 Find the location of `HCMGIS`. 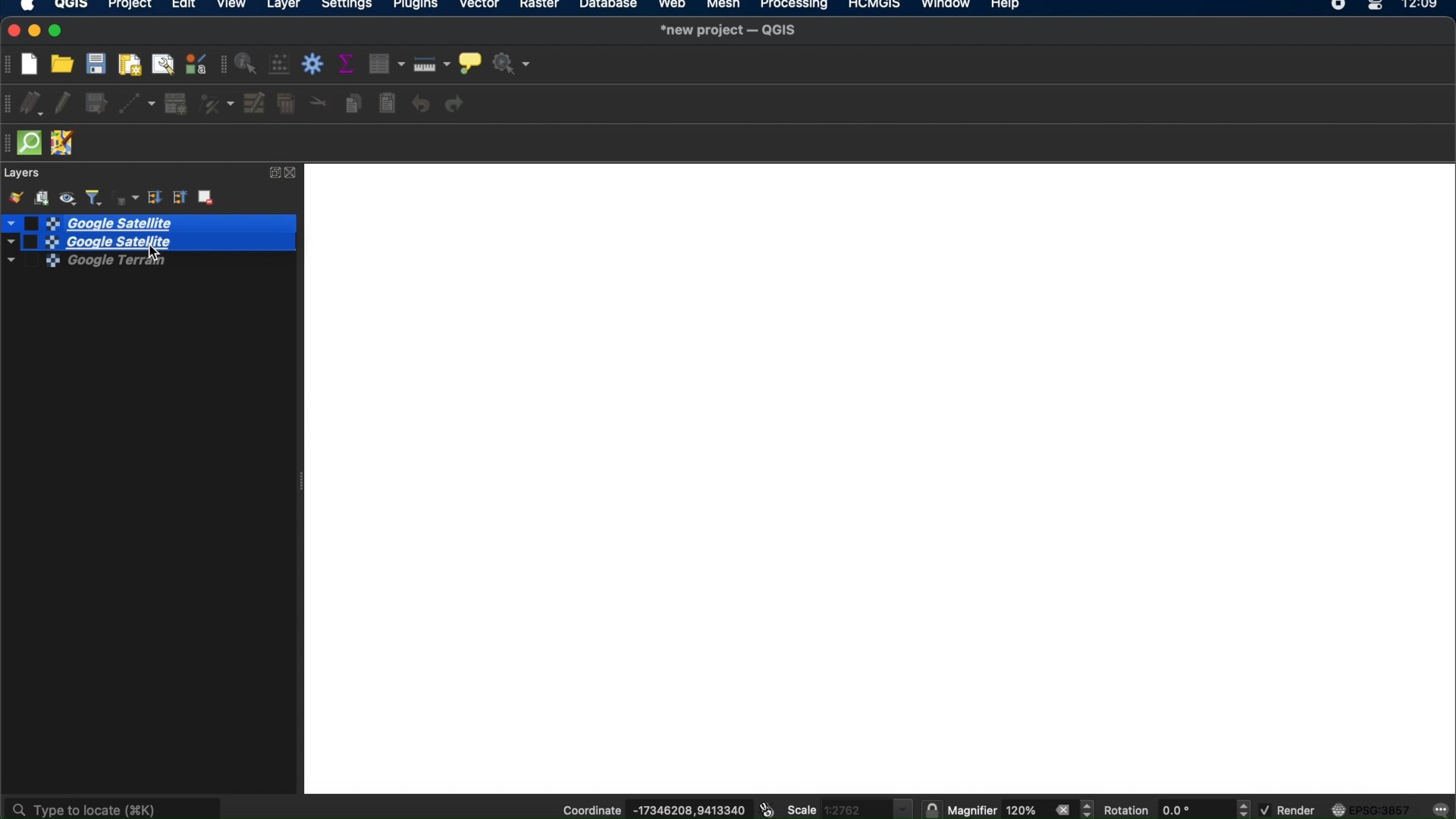

HCMGIS is located at coordinates (873, 6).